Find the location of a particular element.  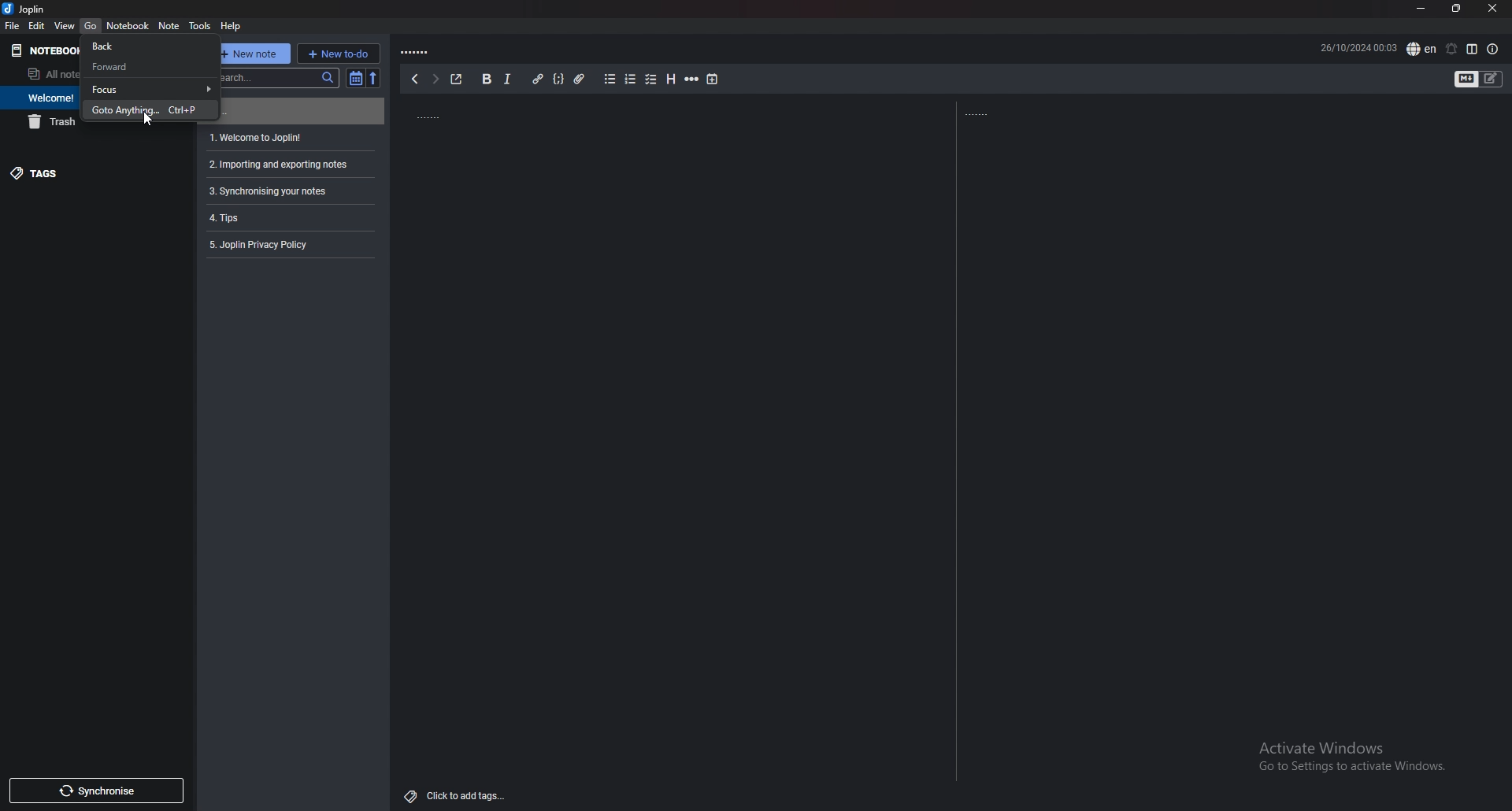

date and time is located at coordinates (1358, 48).